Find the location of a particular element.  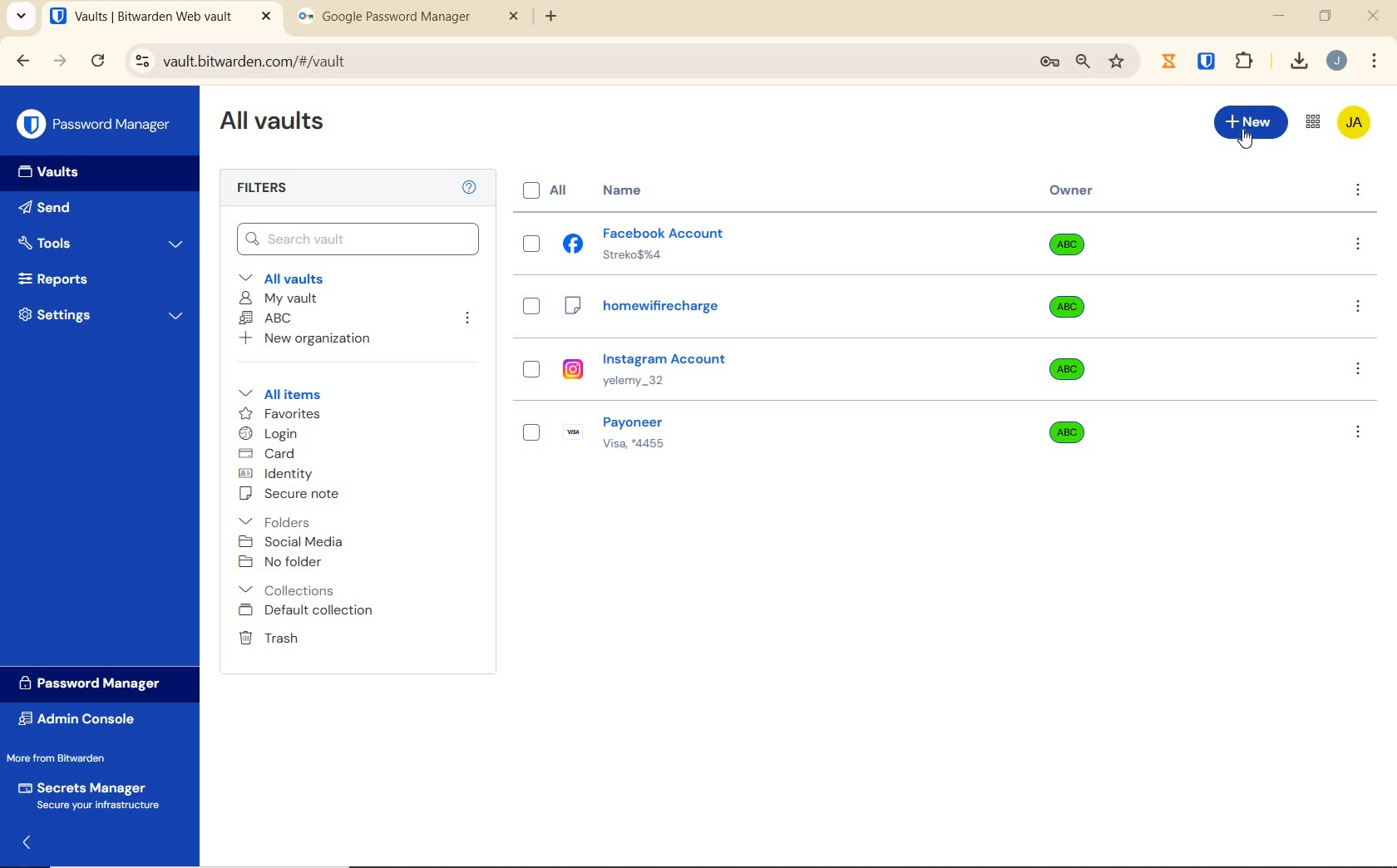

expand/collapse is located at coordinates (26, 843).